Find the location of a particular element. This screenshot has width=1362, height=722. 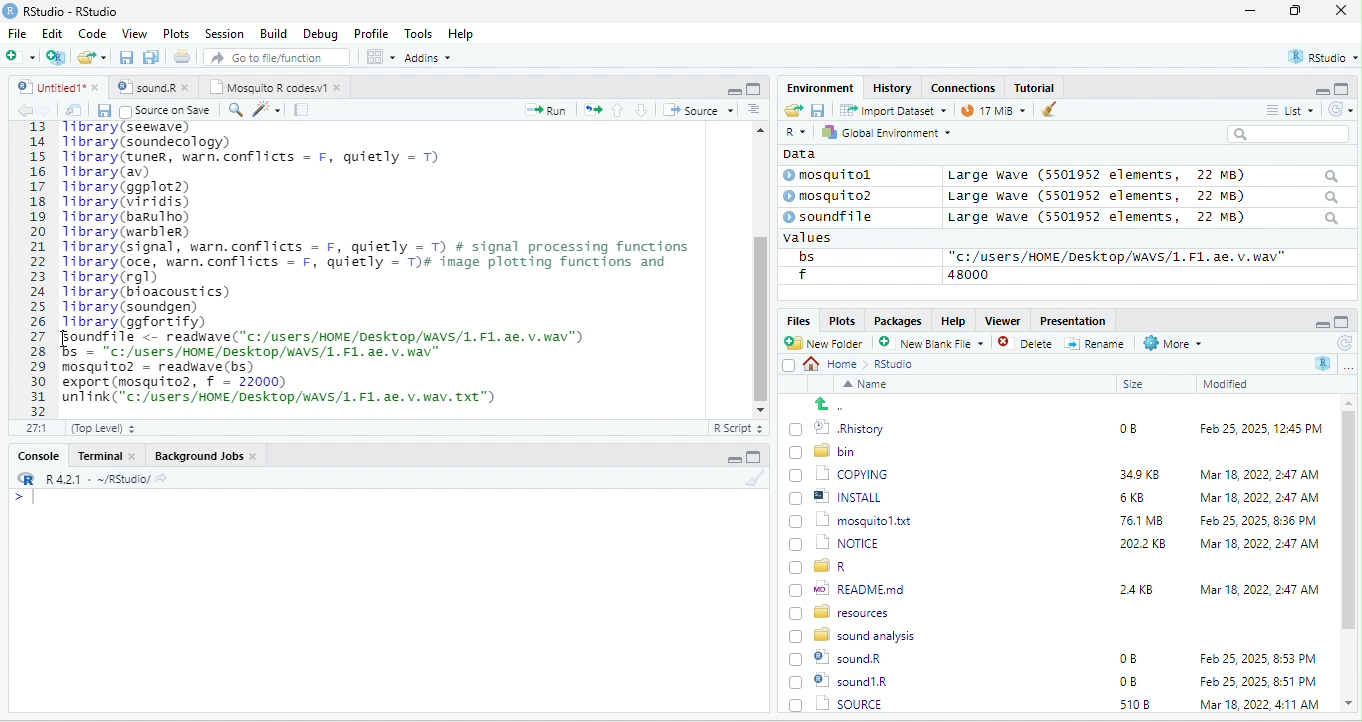

1 mosquitol.txt is located at coordinates (844, 519).